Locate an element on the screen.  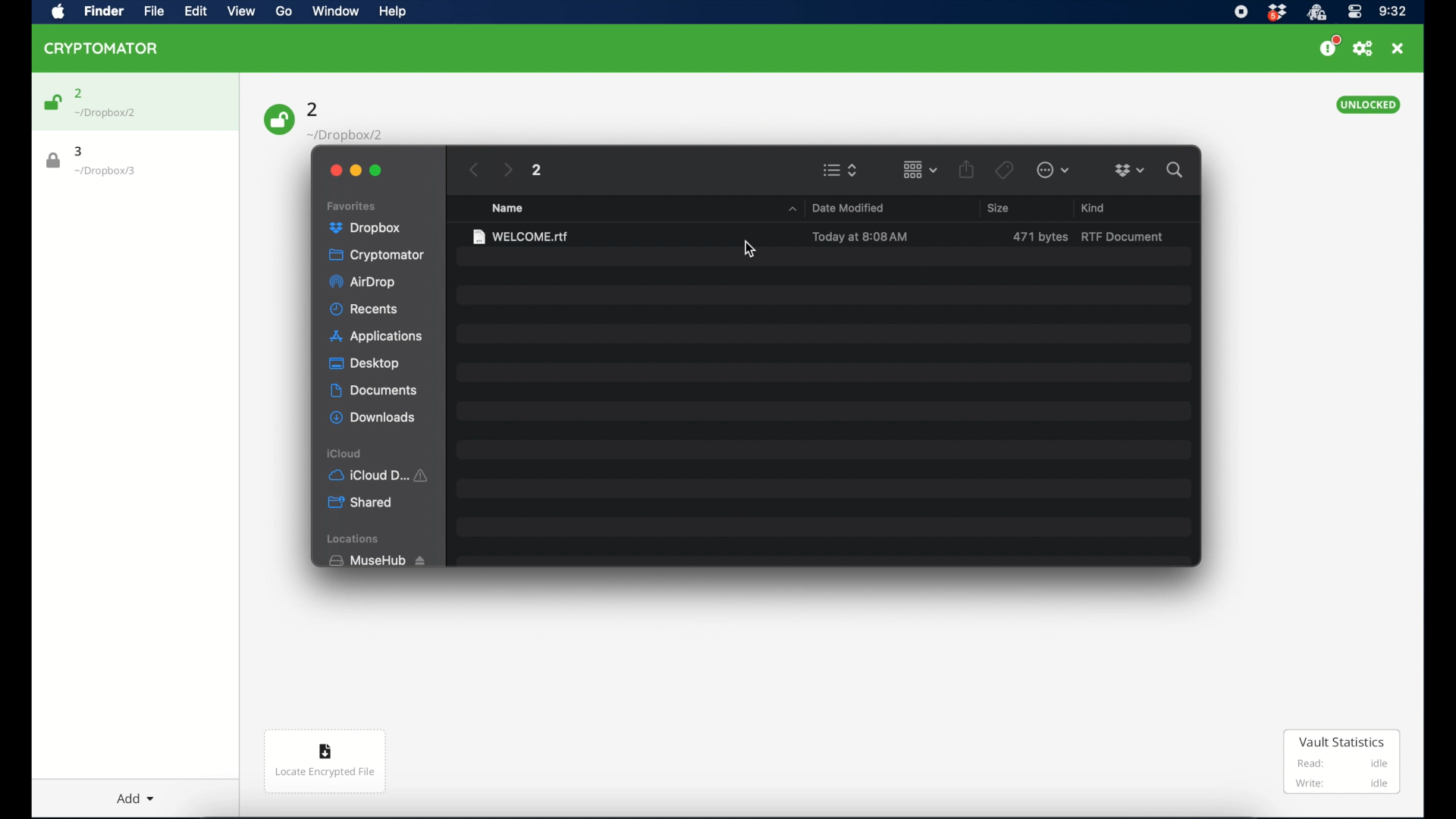
Edit is located at coordinates (195, 12).